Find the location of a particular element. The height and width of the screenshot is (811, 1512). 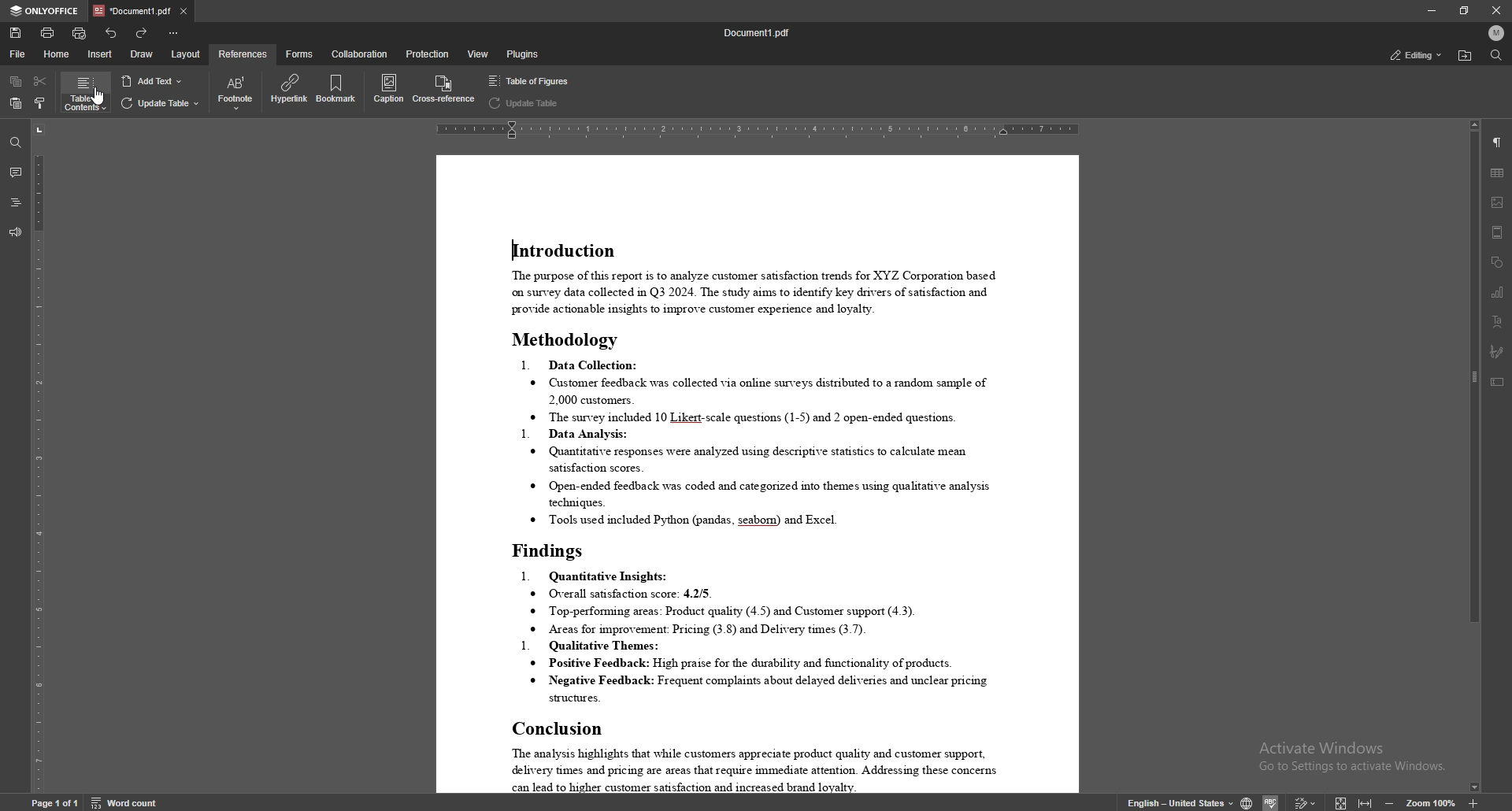

zoom is located at coordinates (1436, 802).